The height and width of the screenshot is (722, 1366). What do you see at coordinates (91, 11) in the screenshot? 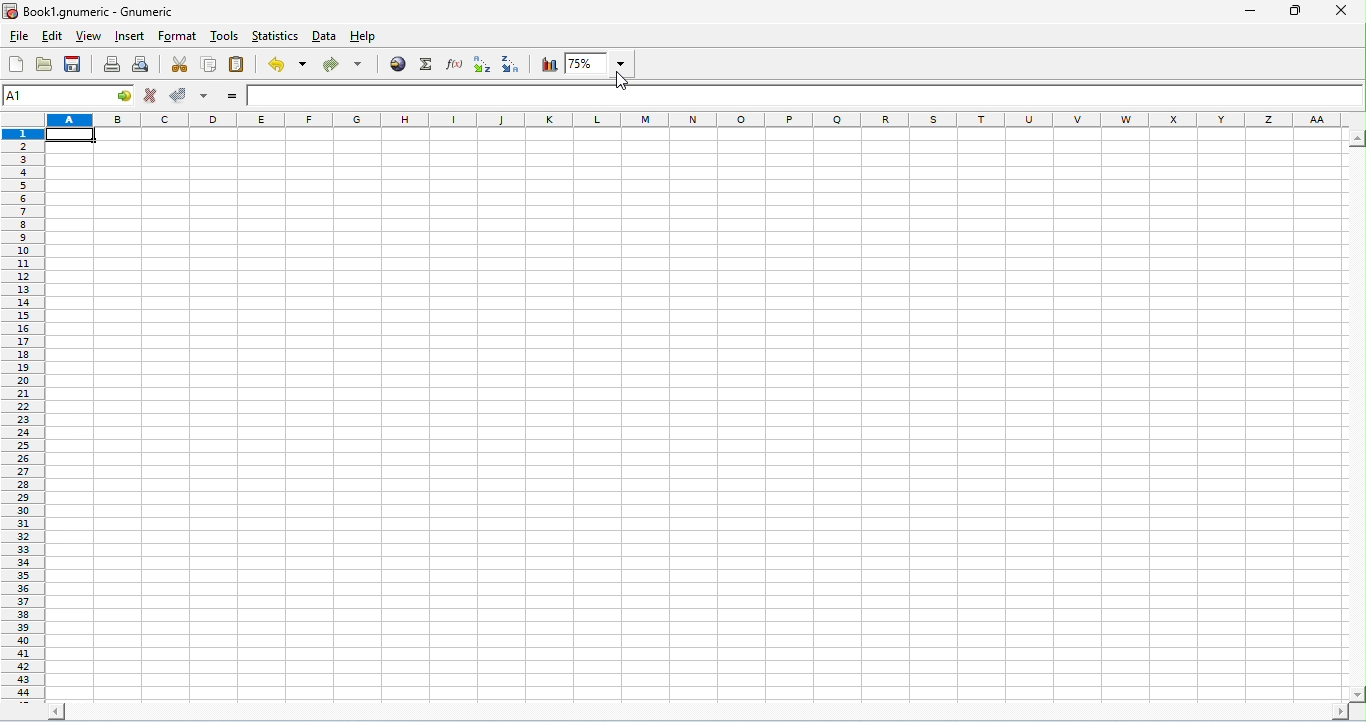
I see `Book1 gnumeric - Gnumeric` at bounding box center [91, 11].